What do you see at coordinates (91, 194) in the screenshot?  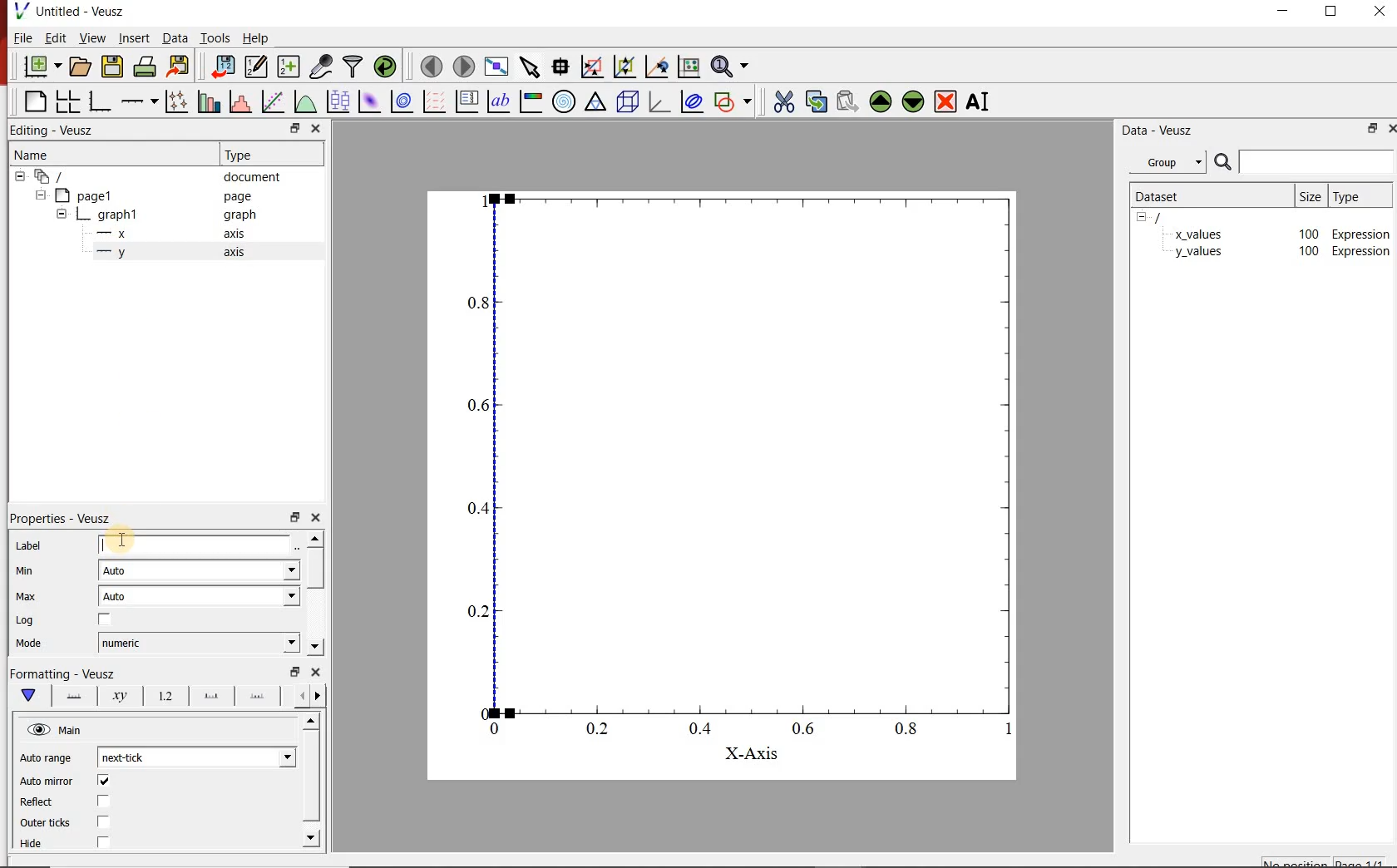 I see `page1` at bounding box center [91, 194].